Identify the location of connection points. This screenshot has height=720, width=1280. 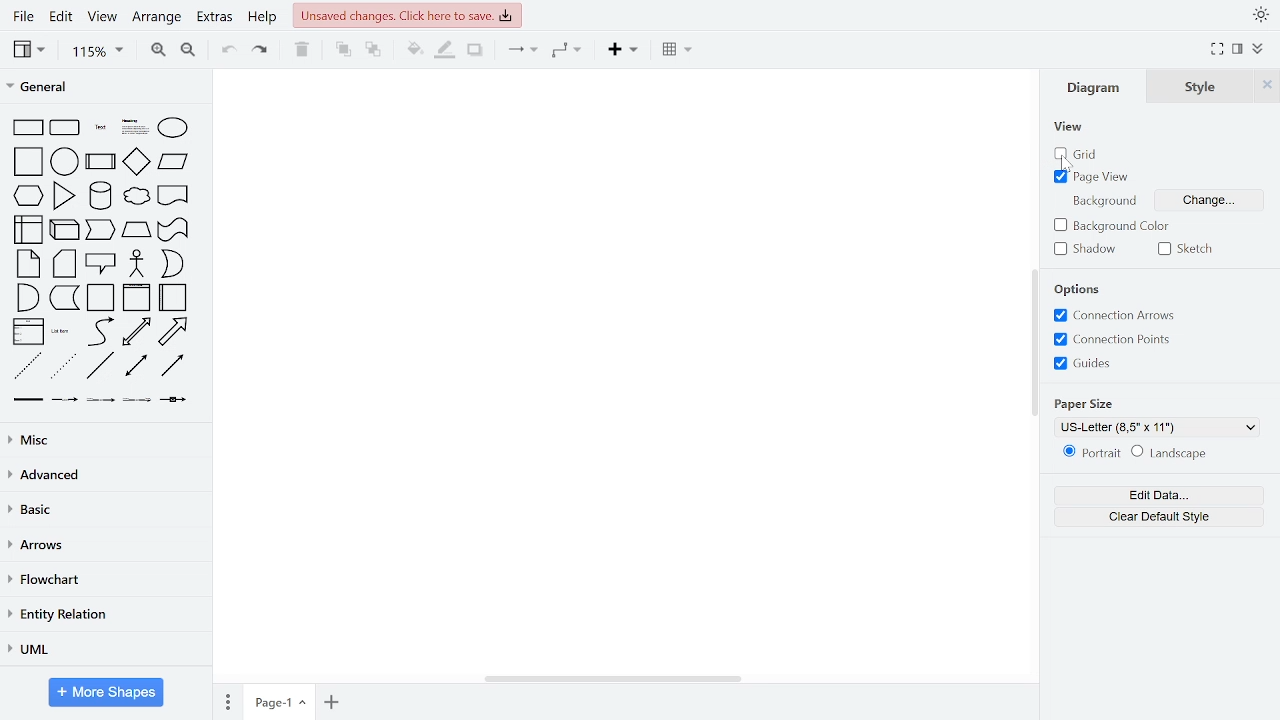
(1113, 338).